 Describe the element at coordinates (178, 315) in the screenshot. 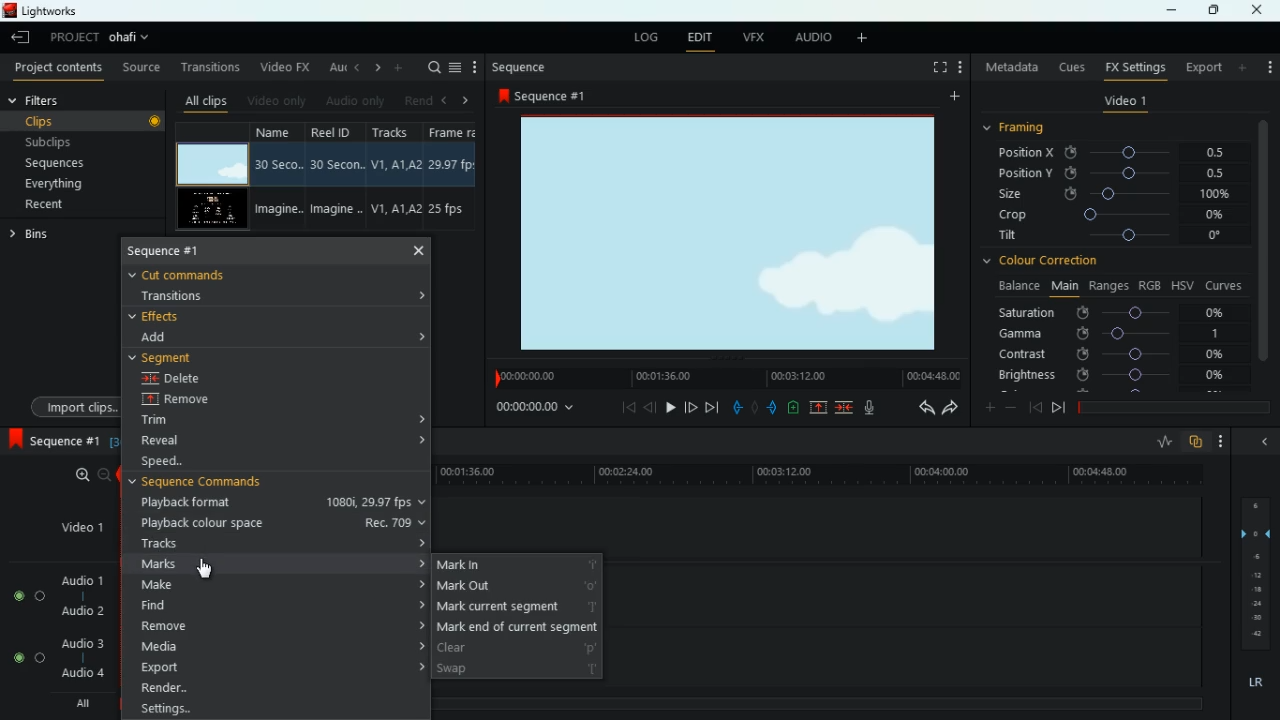

I see `effects` at that location.